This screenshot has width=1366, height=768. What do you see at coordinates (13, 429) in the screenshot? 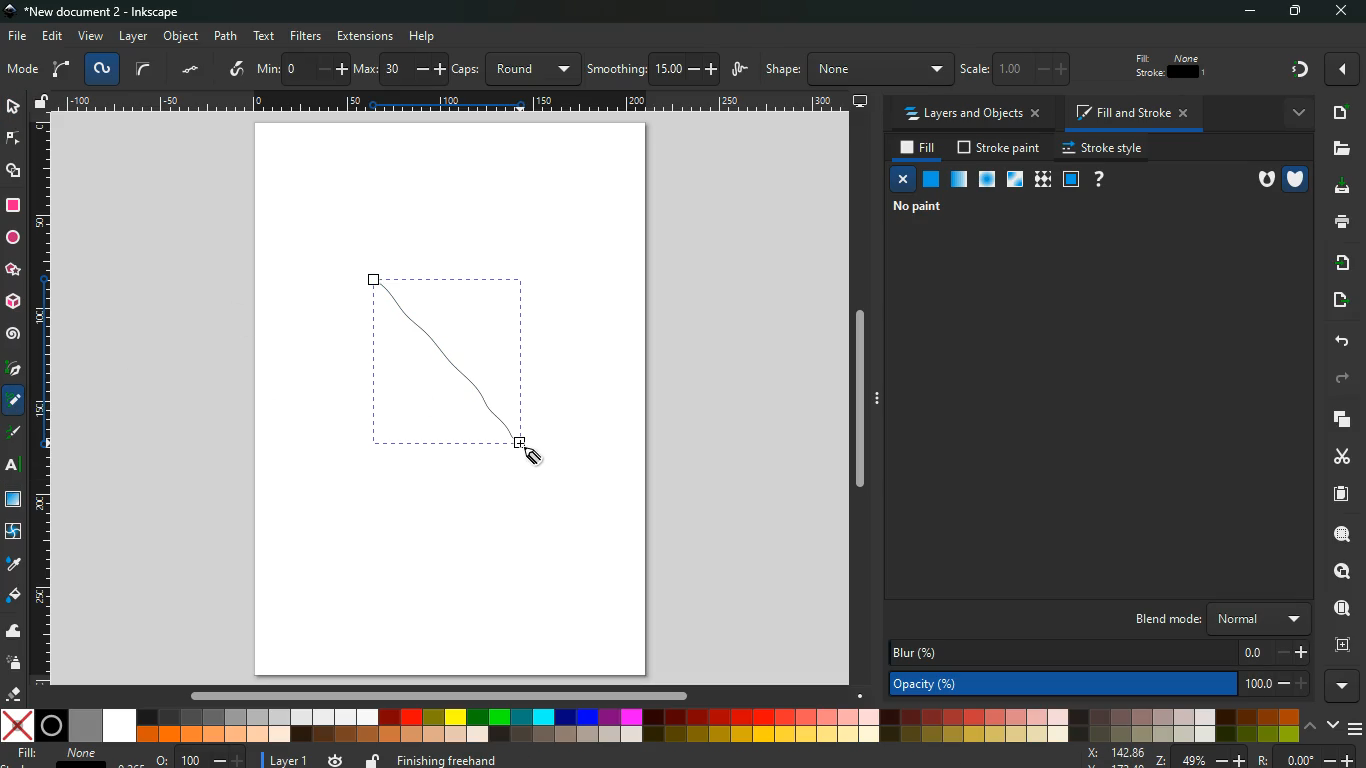
I see `description` at bounding box center [13, 429].